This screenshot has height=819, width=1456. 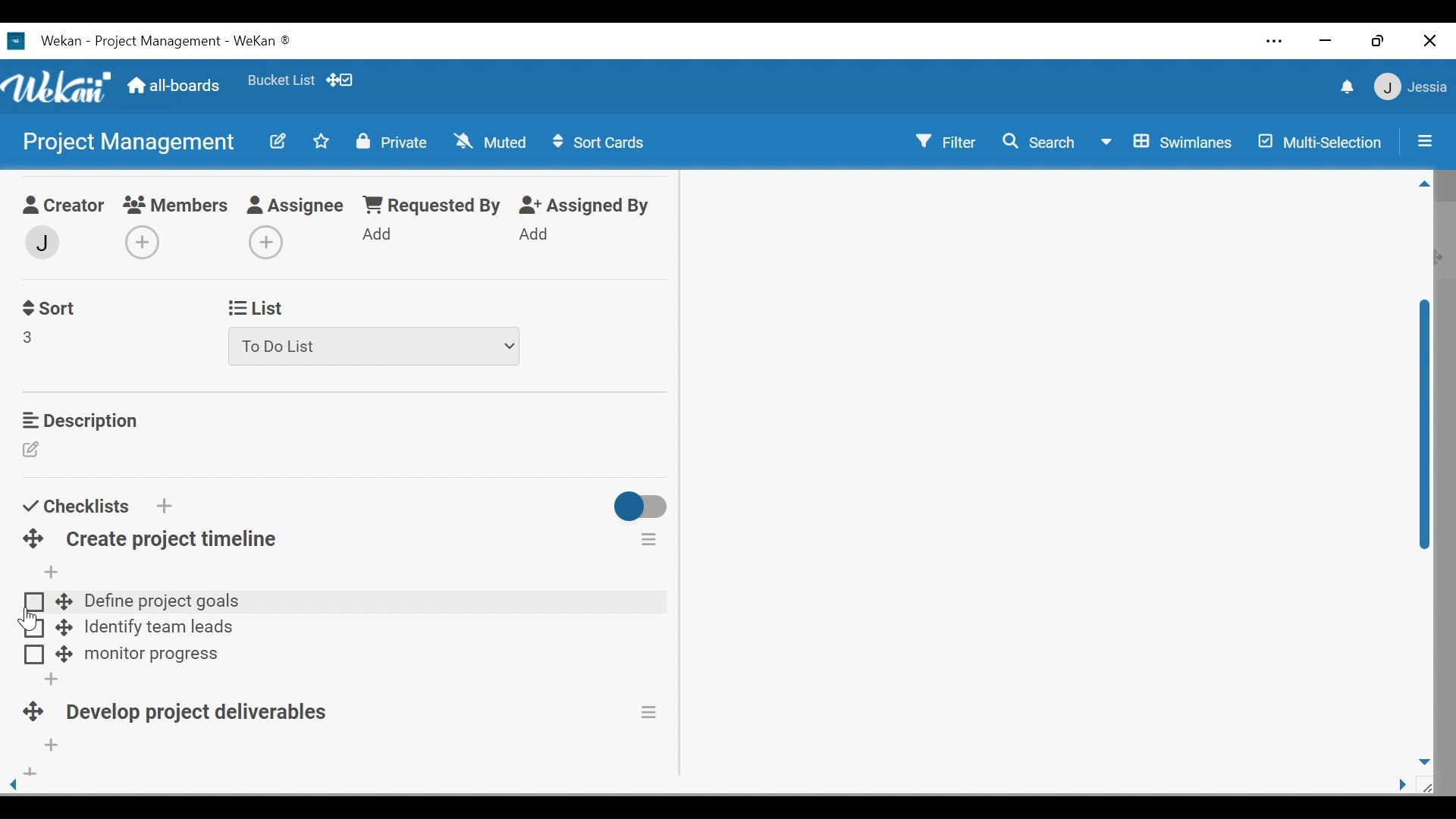 What do you see at coordinates (1423, 140) in the screenshot?
I see `Open/Close Sidebar` at bounding box center [1423, 140].